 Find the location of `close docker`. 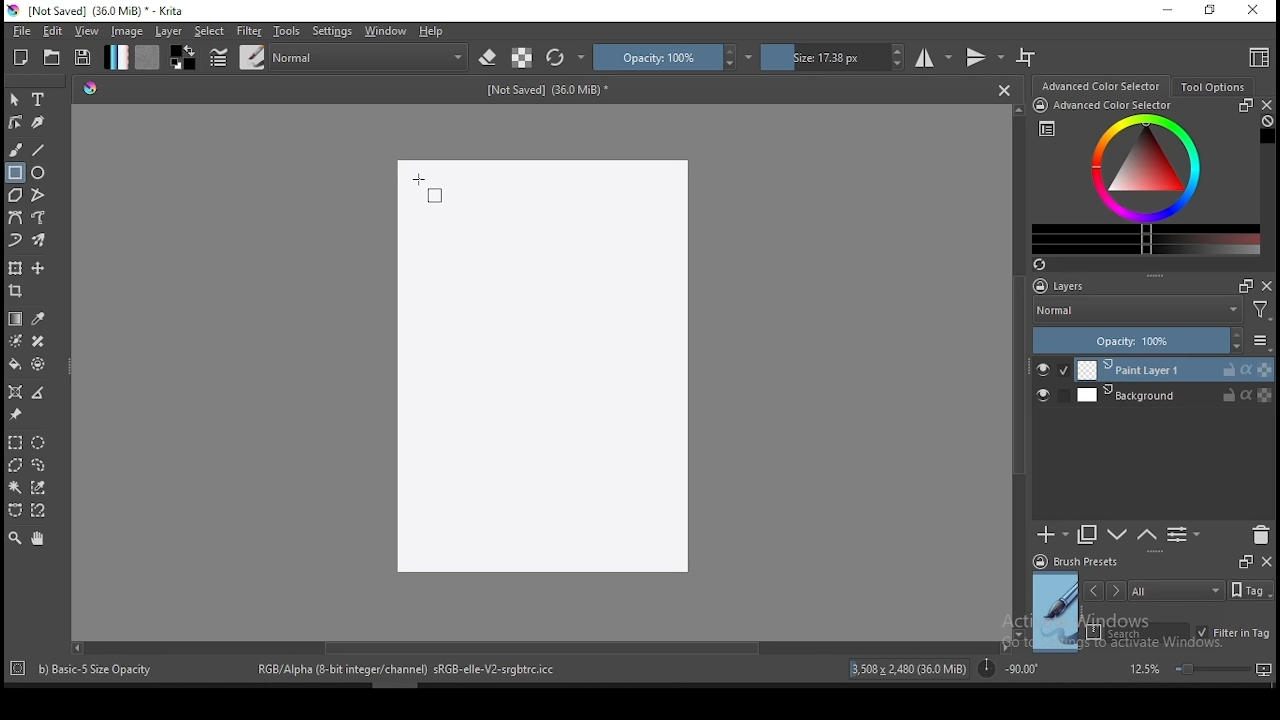

close docker is located at coordinates (1266, 560).